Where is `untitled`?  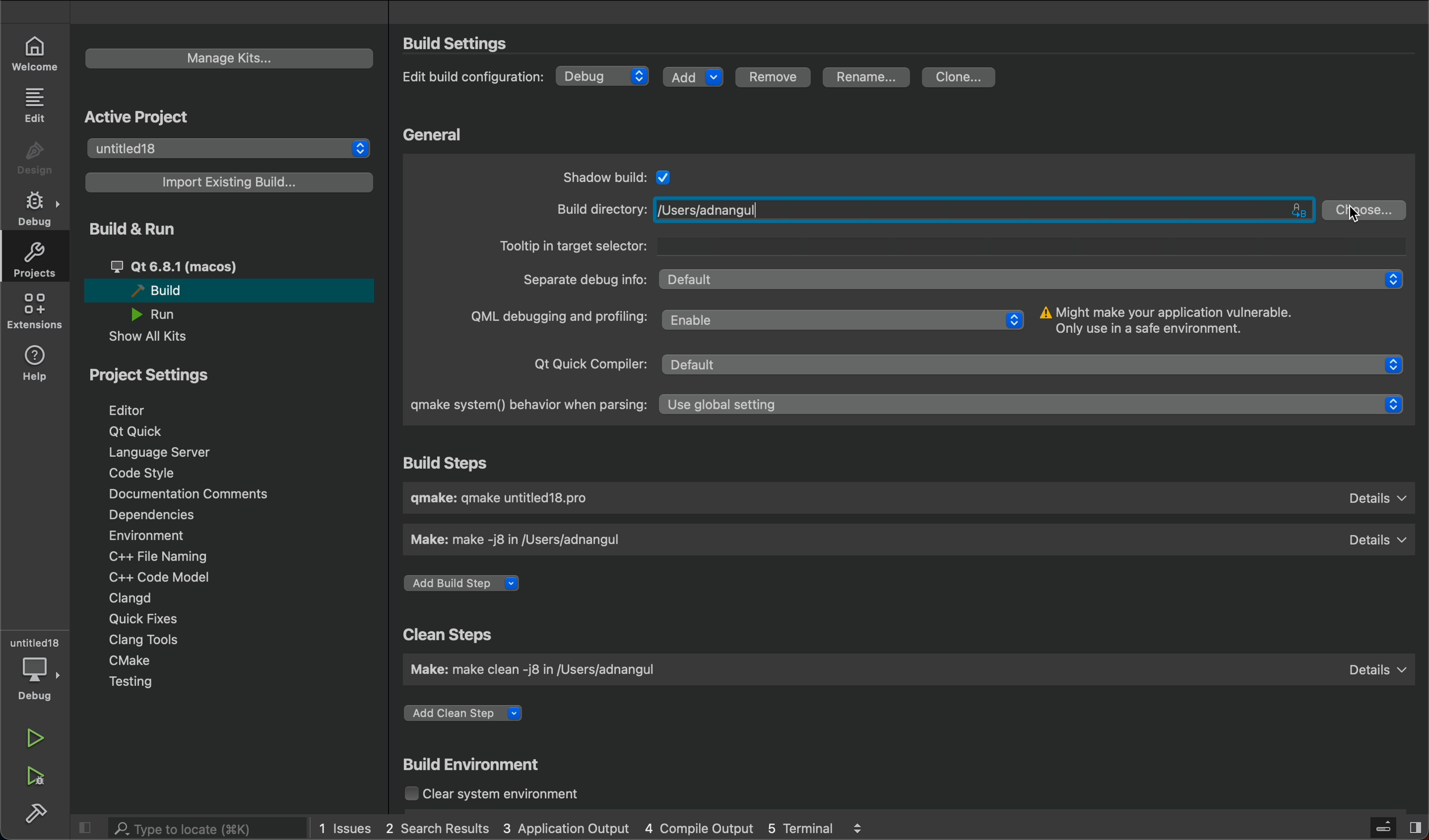 untitled is located at coordinates (35, 638).